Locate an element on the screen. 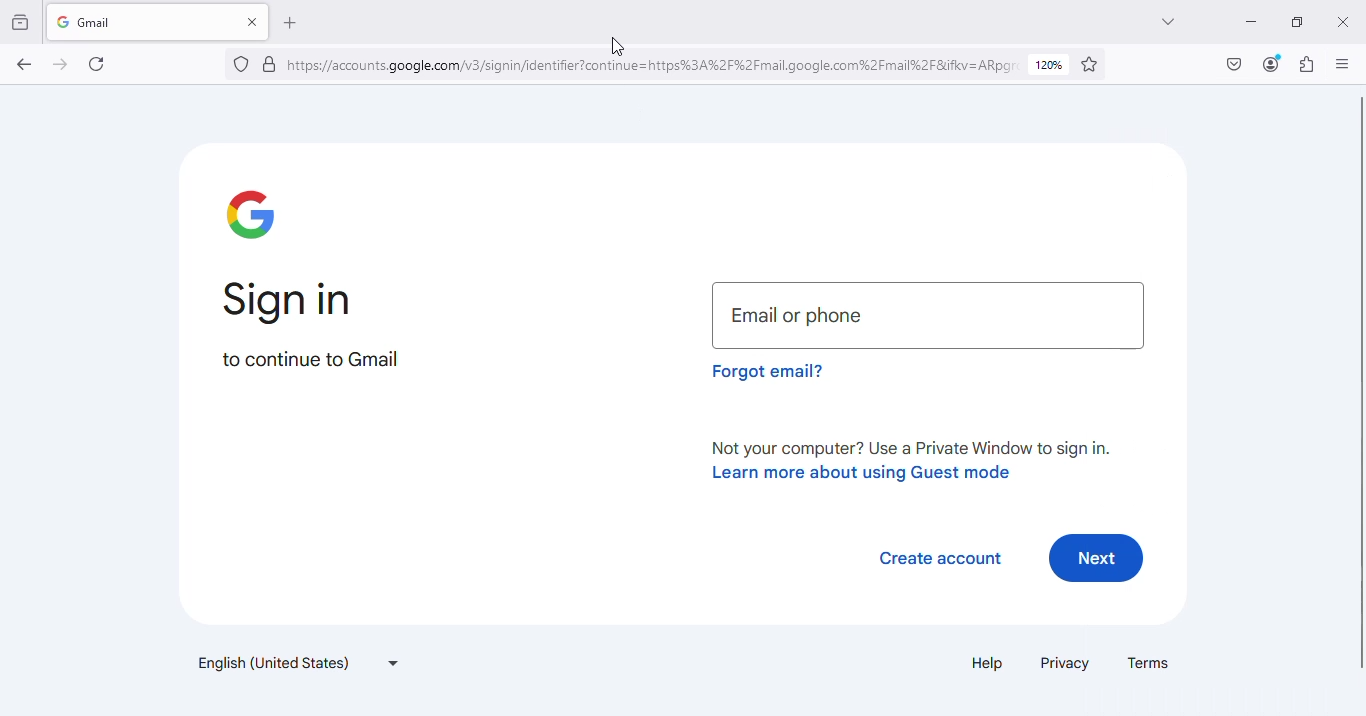  go back one page is located at coordinates (25, 64).